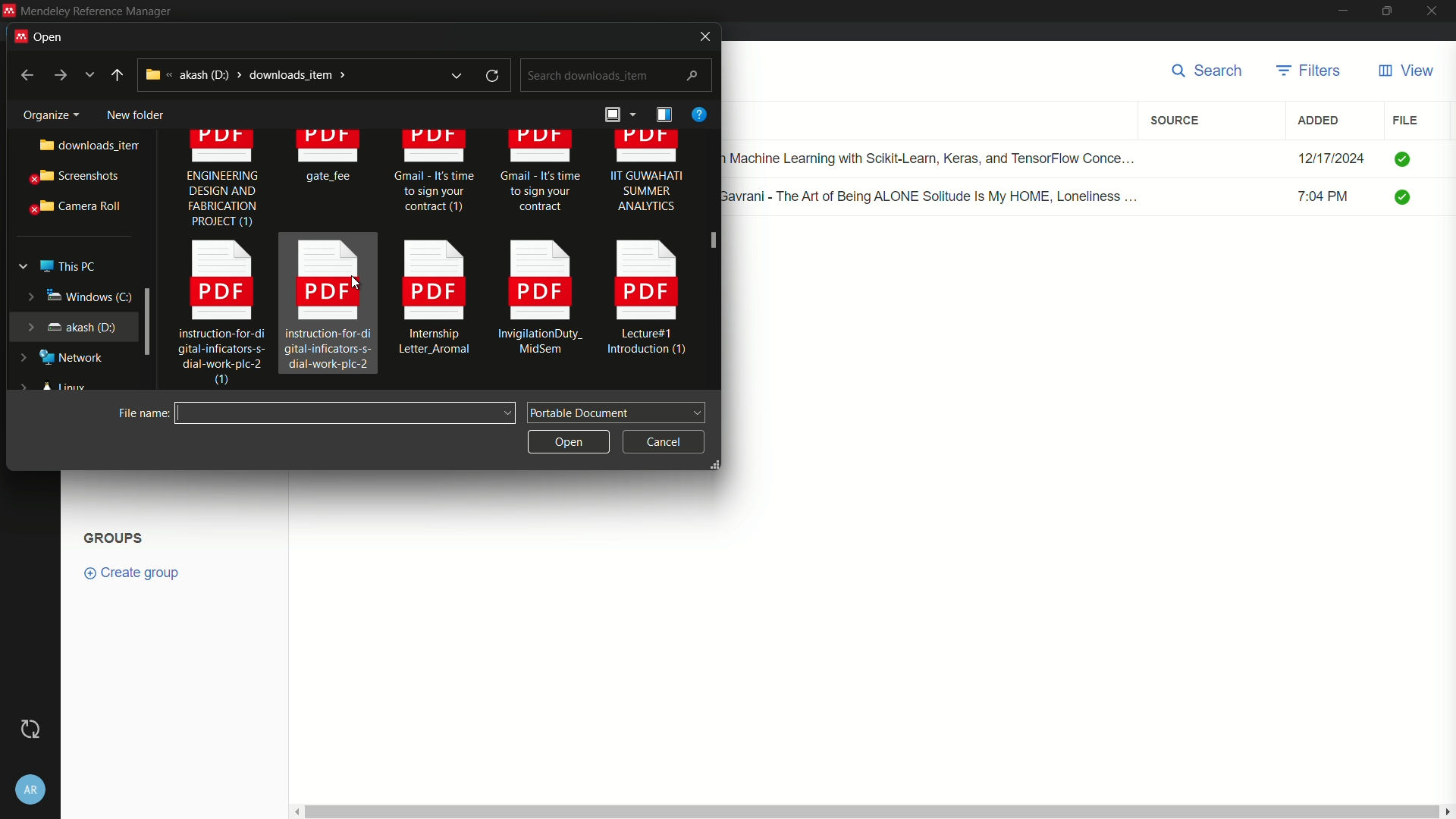  Describe the element at coordinates (717, 237) in the screenshot. I see `cursor` at that location.